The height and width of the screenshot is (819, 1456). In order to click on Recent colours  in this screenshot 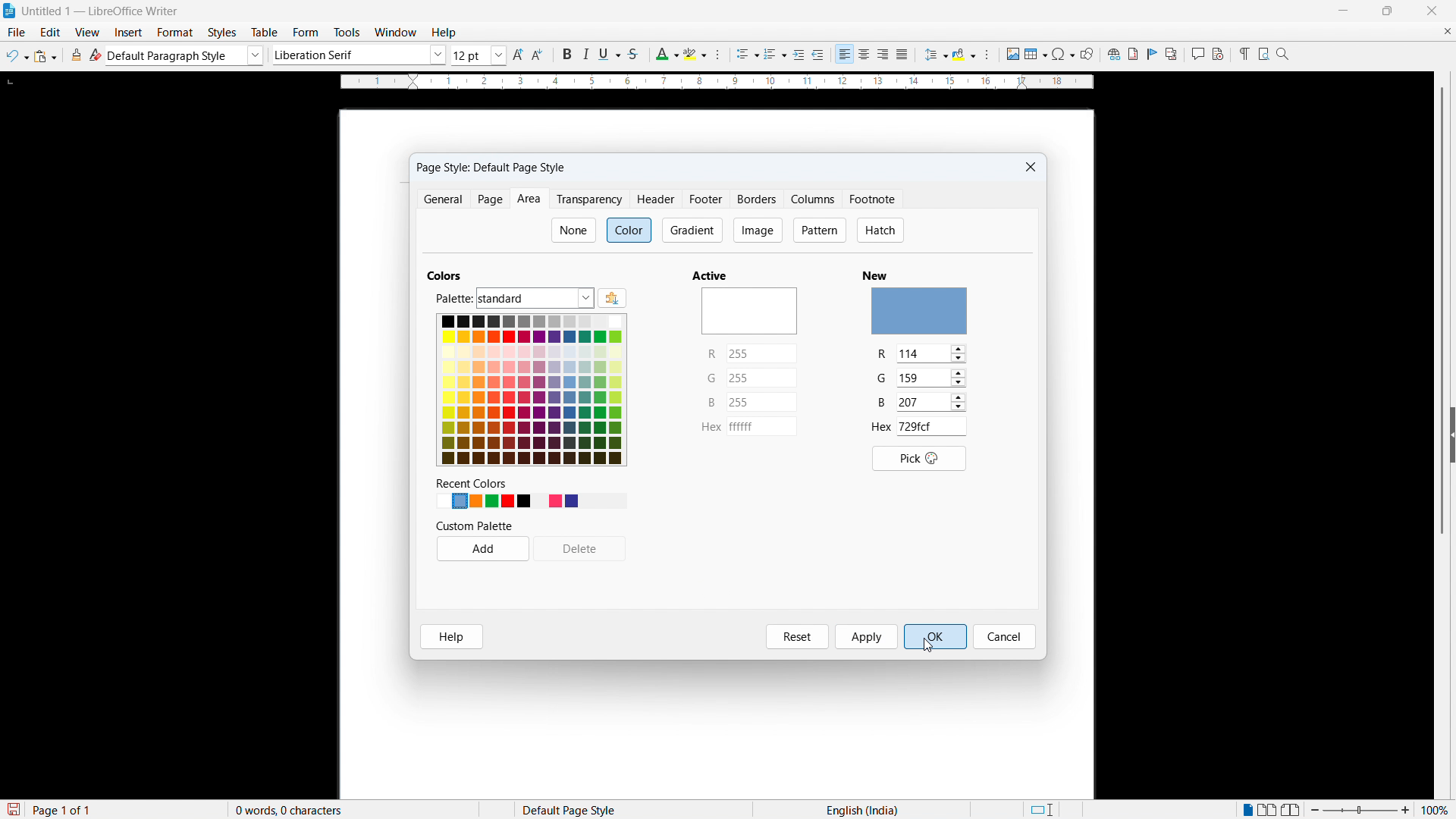, I will do `click(530, 500)`.